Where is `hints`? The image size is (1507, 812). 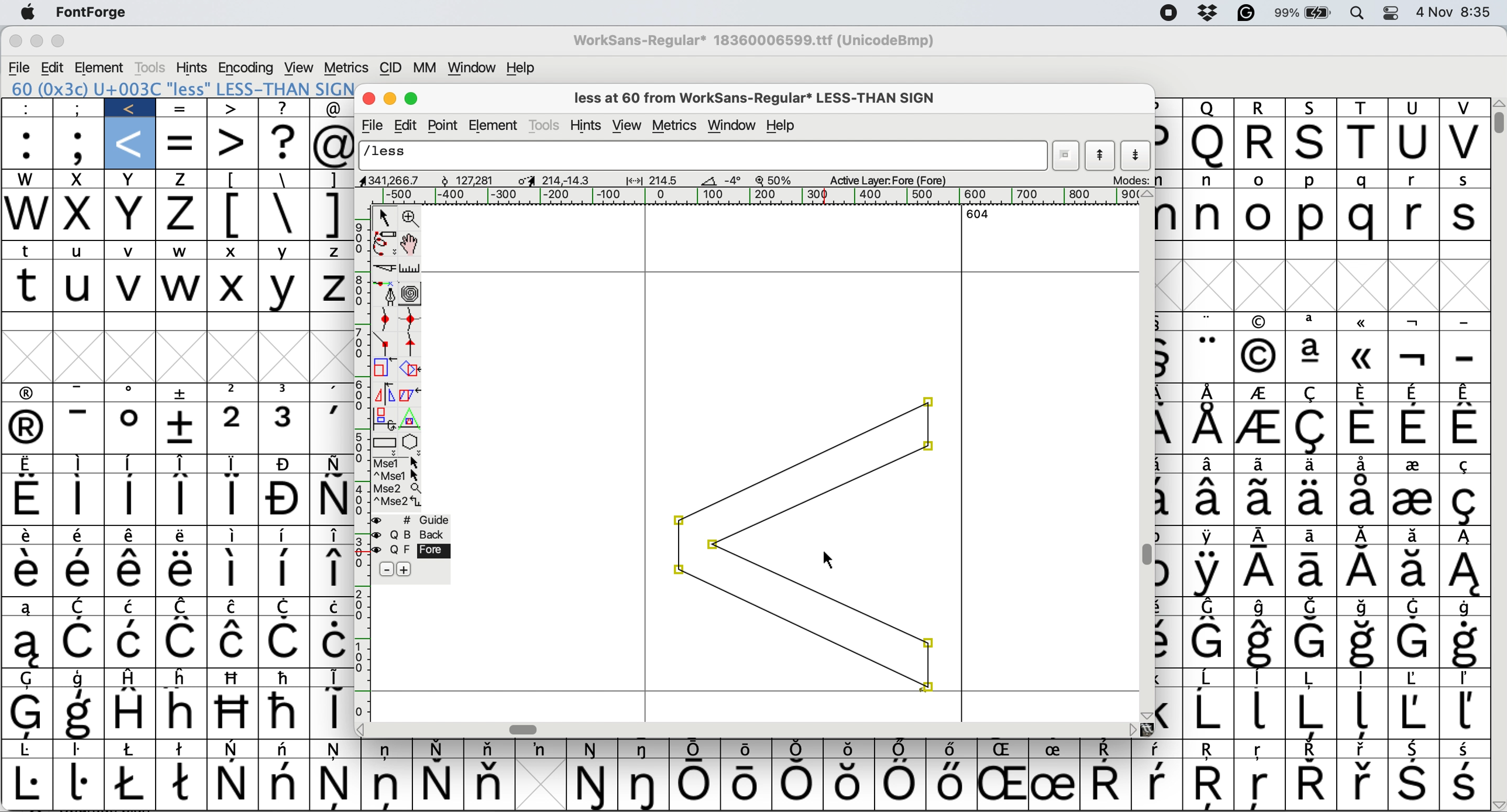
hints is located at coordinates (192, 67).